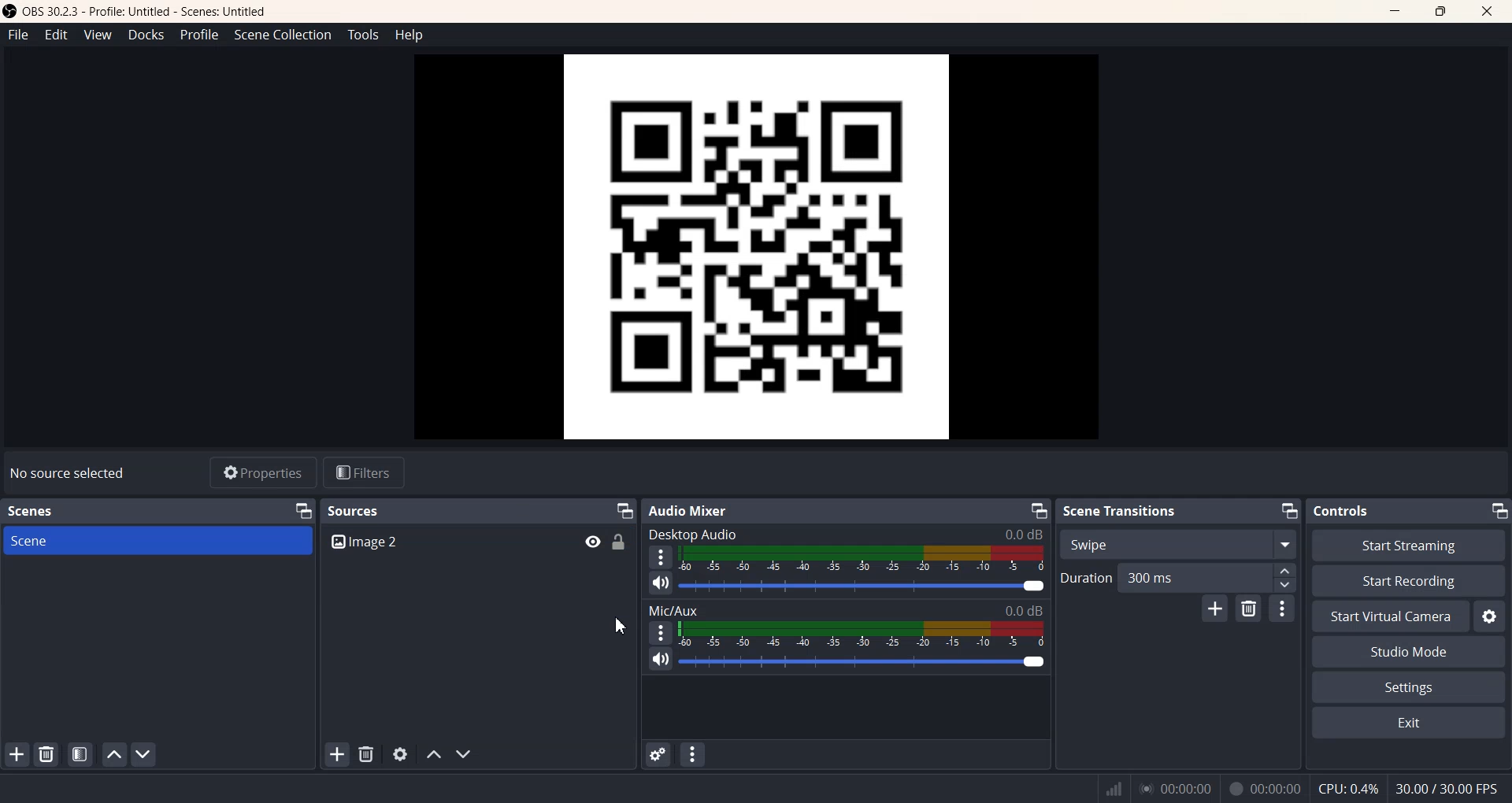 Image resolution: width=1512 pixels, height=803 pixels. Describe the element at coordinates (144, 754) in the screenshot. I see `Move scene down` at that location.